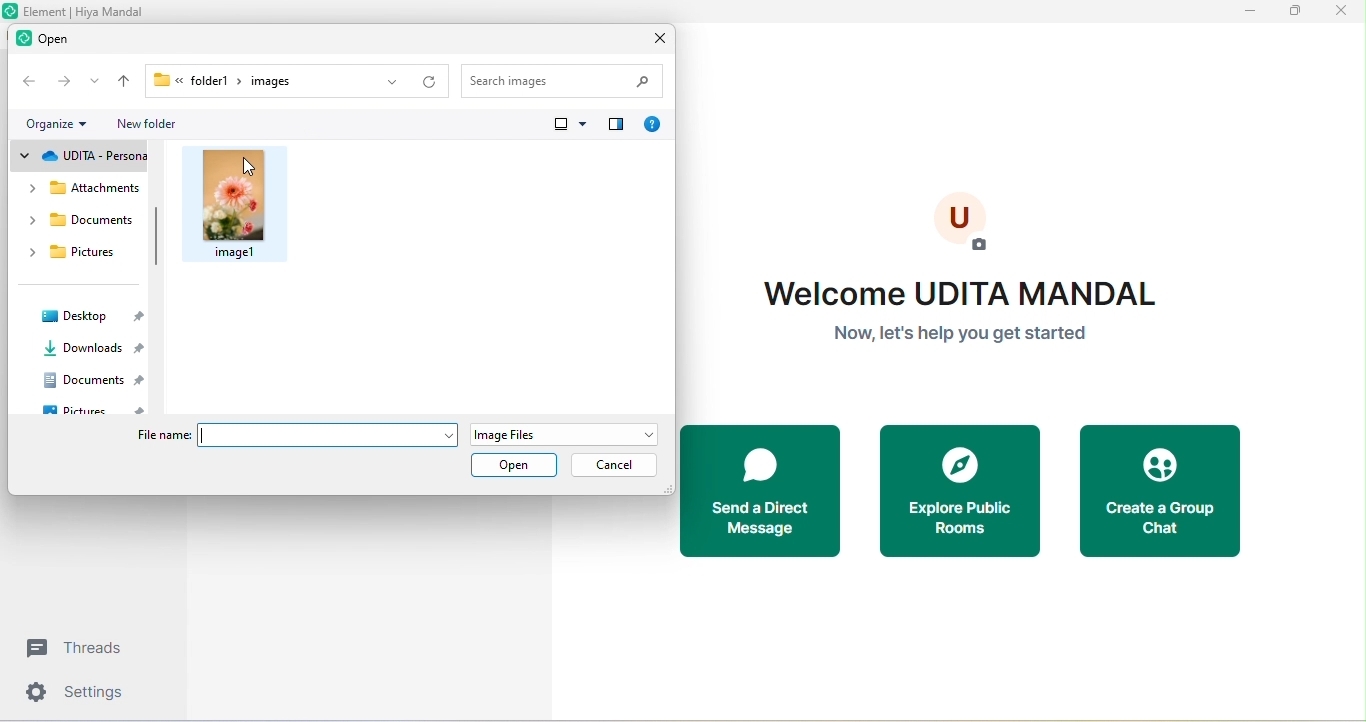  Describe the element at coordinates (1340, 14) in the screenshot. I see `close` at that location.